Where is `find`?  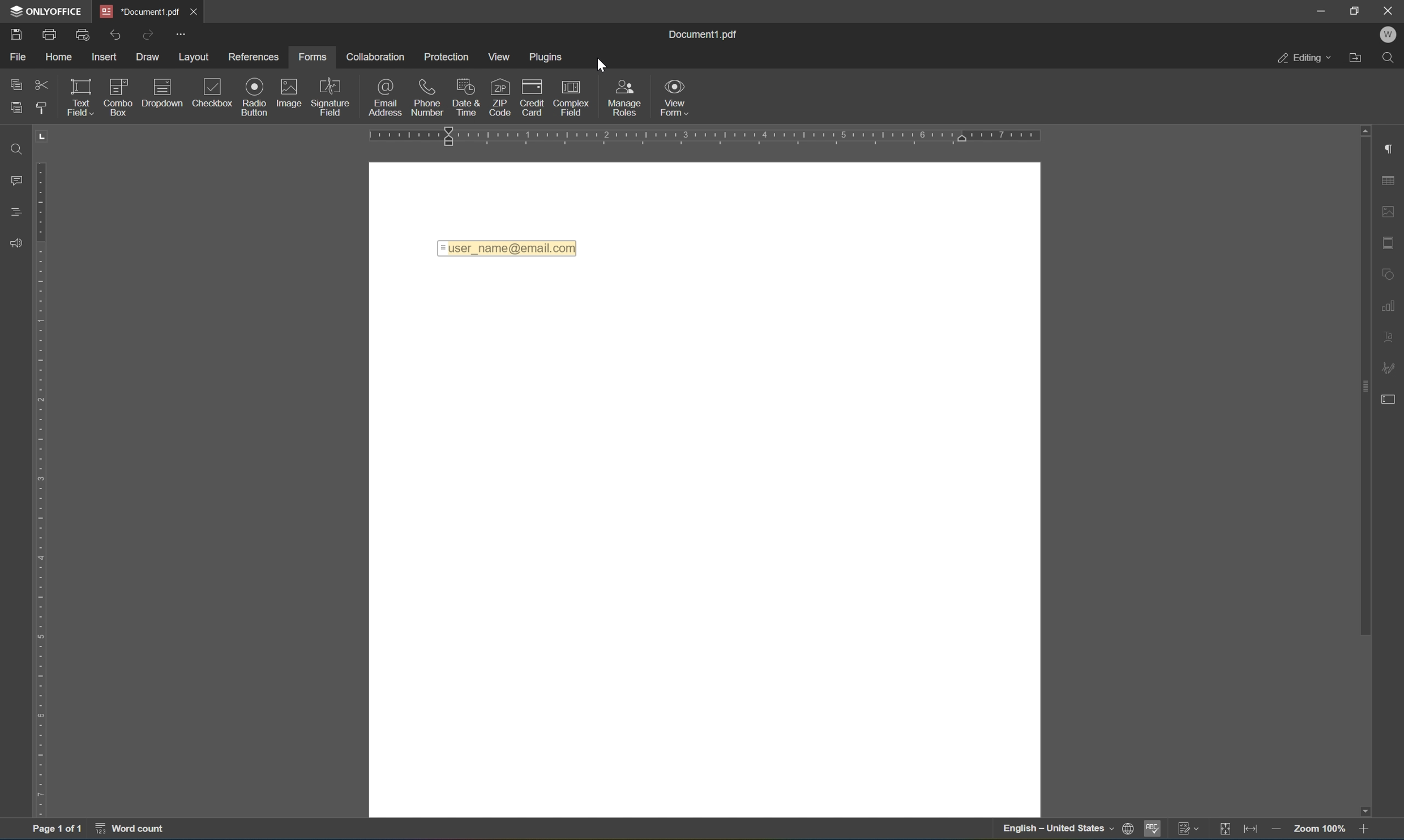 find is located at coordinates (17, 149).